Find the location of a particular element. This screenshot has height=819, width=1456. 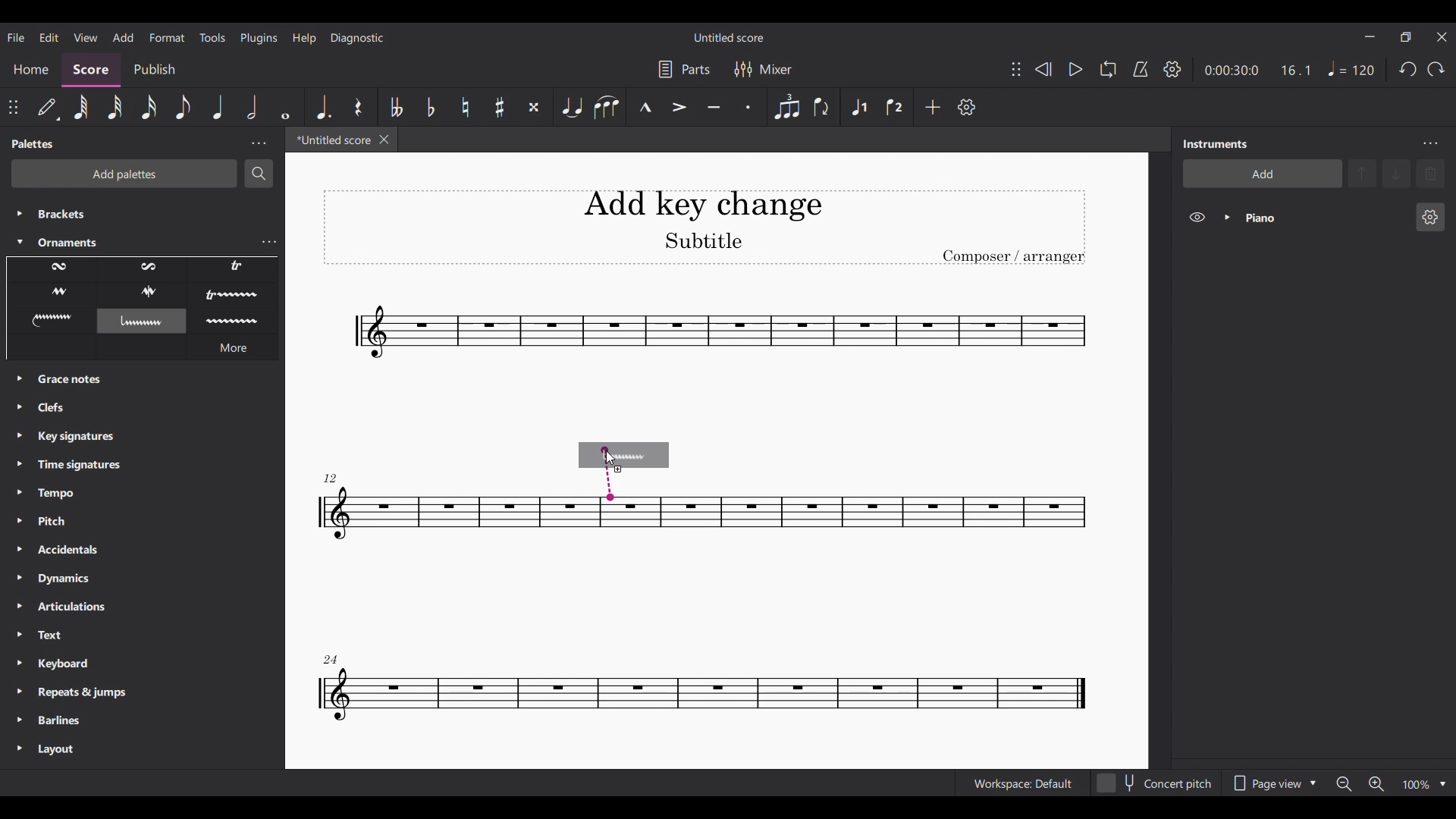

8th note is located at coordinates (183, 107).